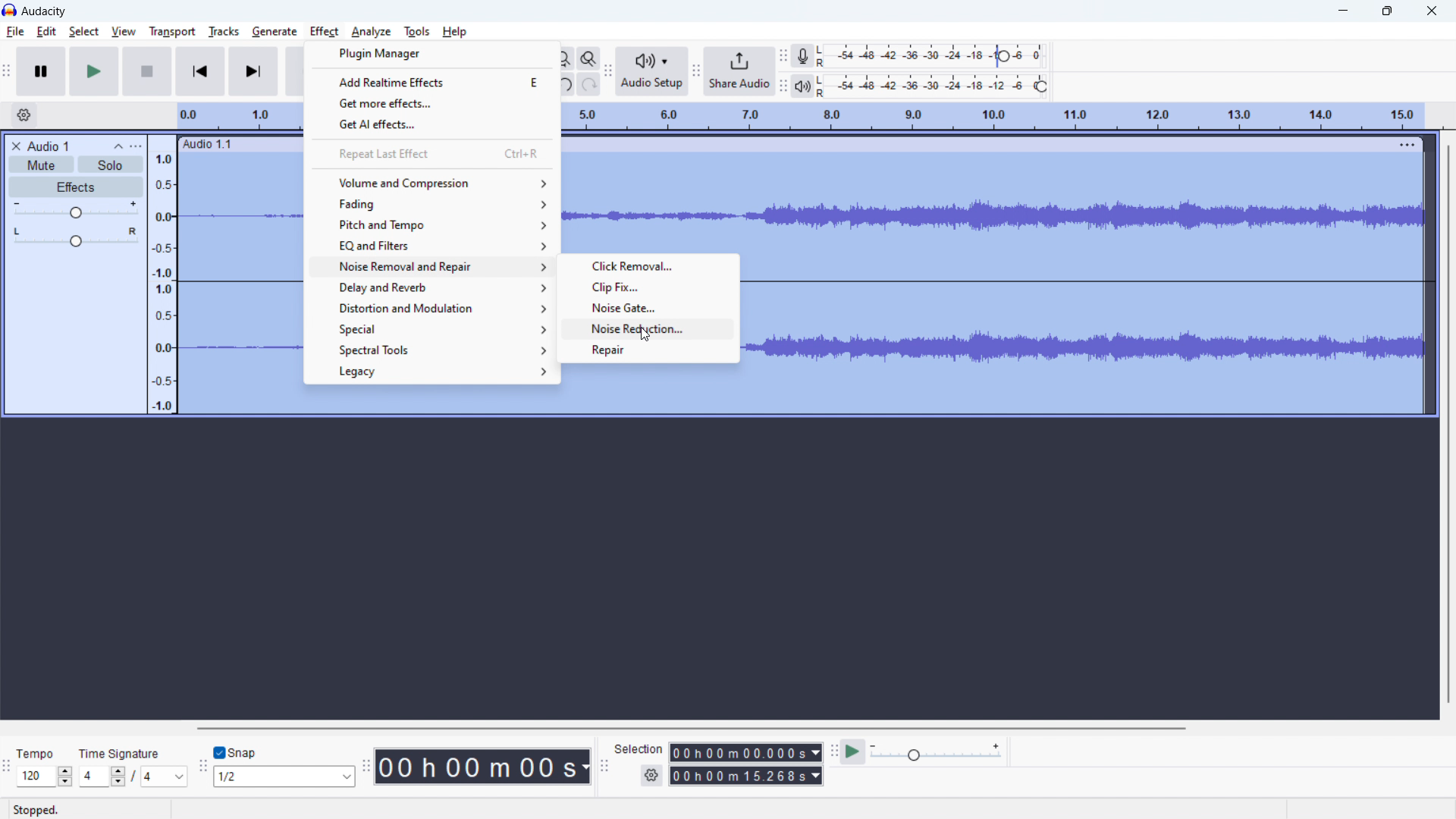 This screenshot has width=1456, height=819. Describe the element at coordinates (41, 72) in the screenshot. I see `pause` at that location.